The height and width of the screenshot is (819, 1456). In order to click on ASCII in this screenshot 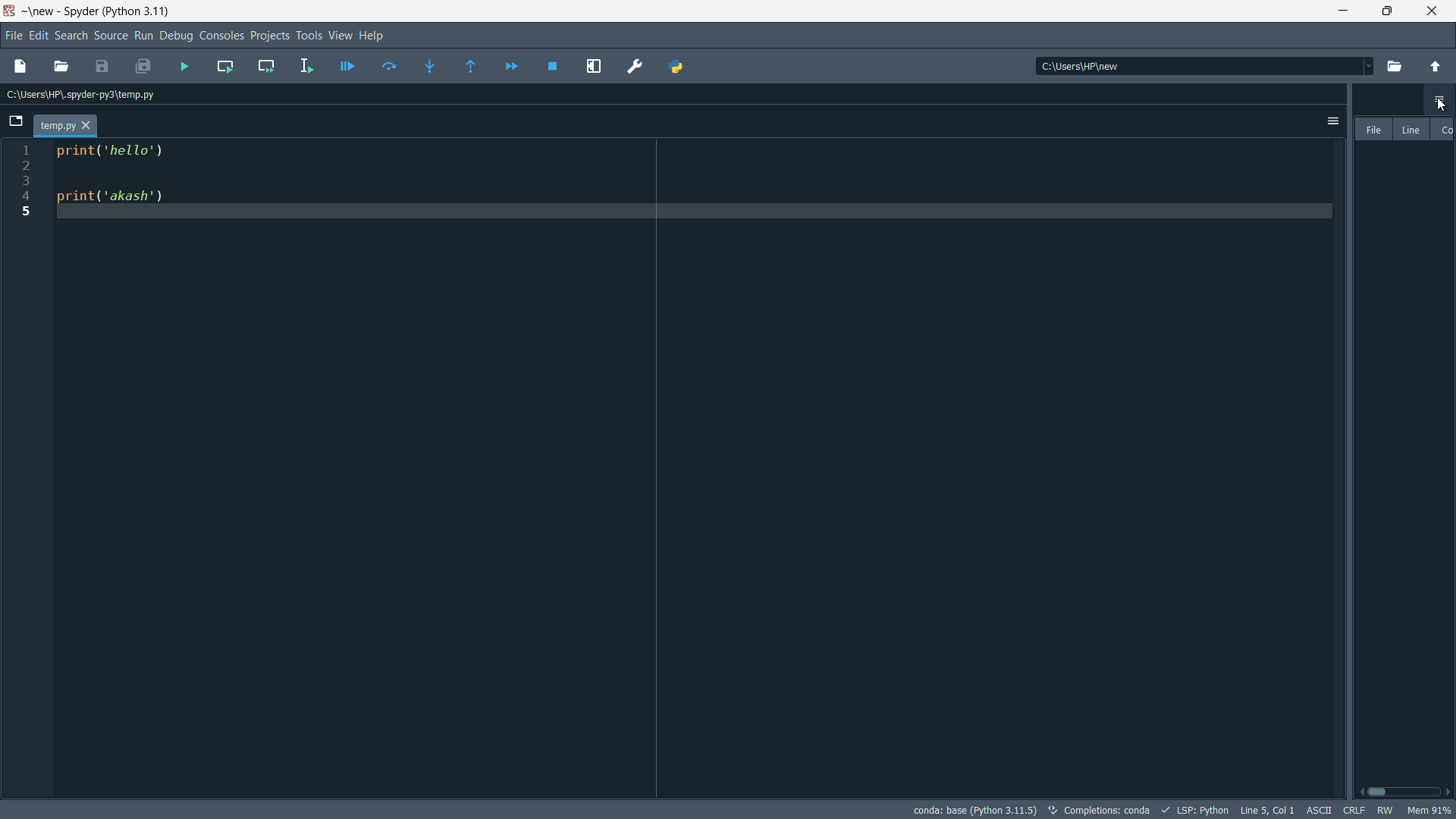, I will do `click(1316, 809)`.